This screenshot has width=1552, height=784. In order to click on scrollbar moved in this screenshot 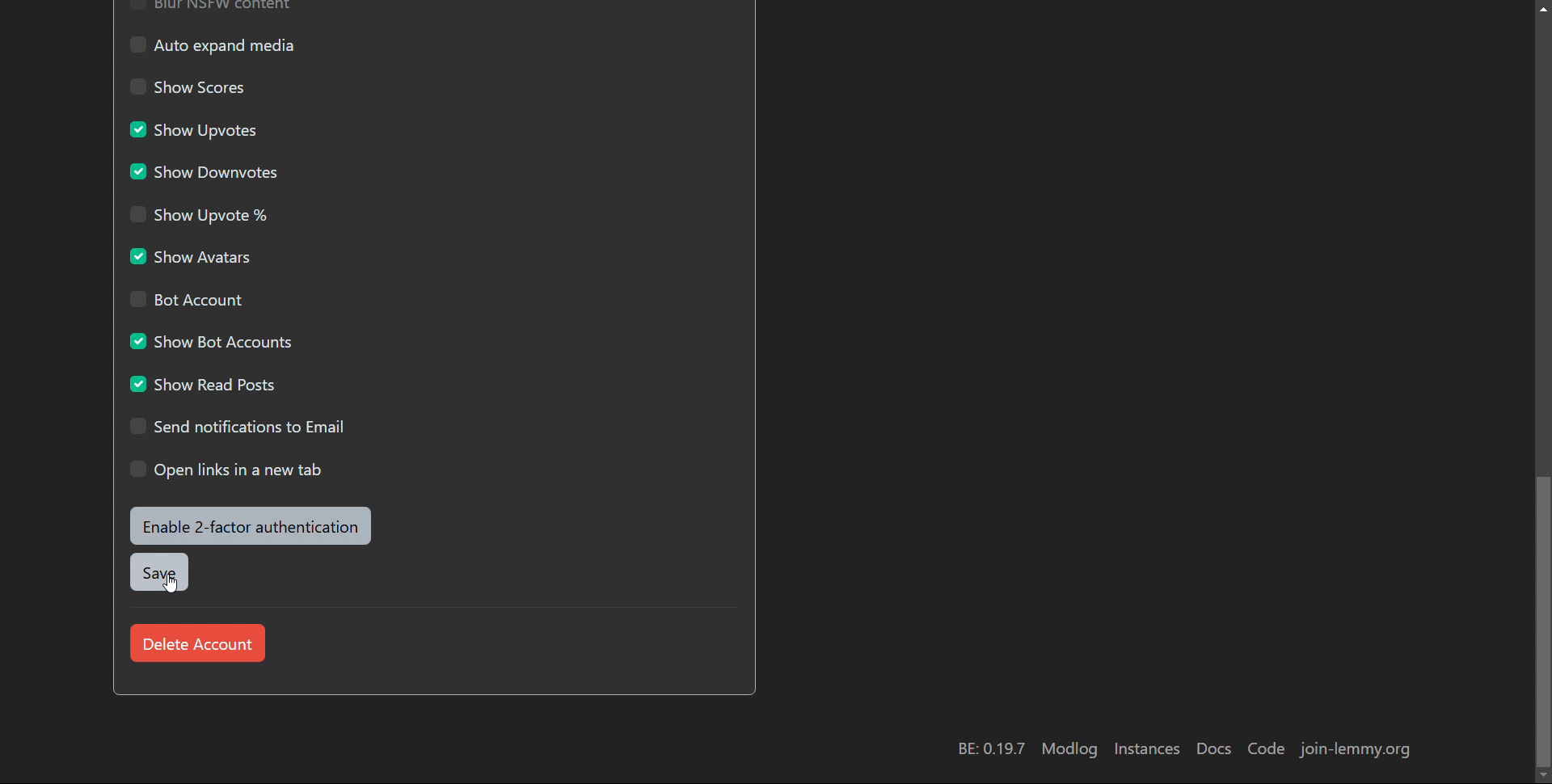, I will do `click(1546, 387)`.